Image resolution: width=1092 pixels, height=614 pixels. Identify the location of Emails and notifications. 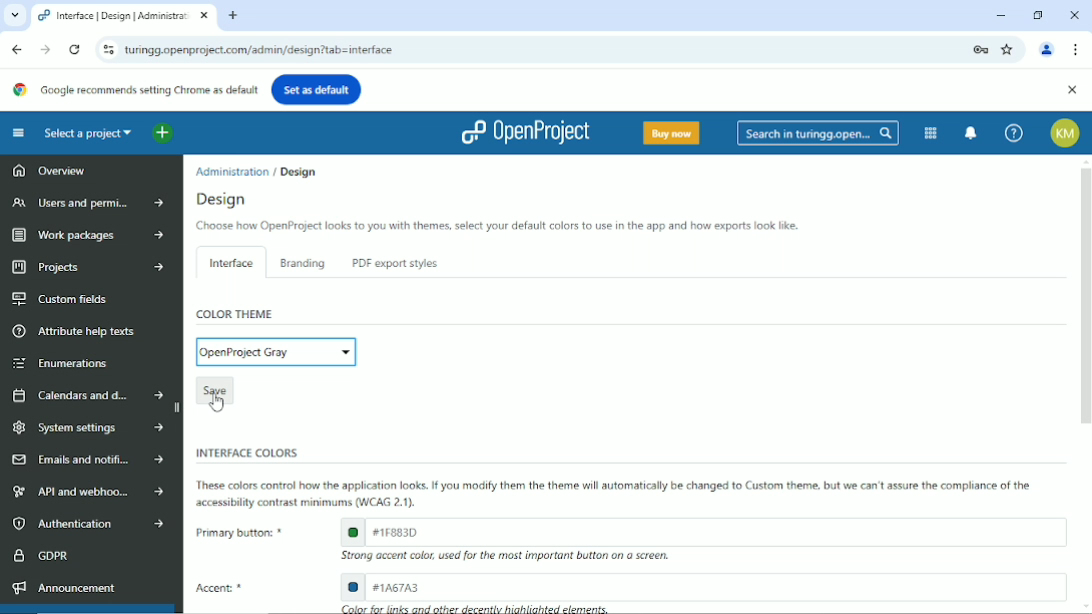
(87, 460).